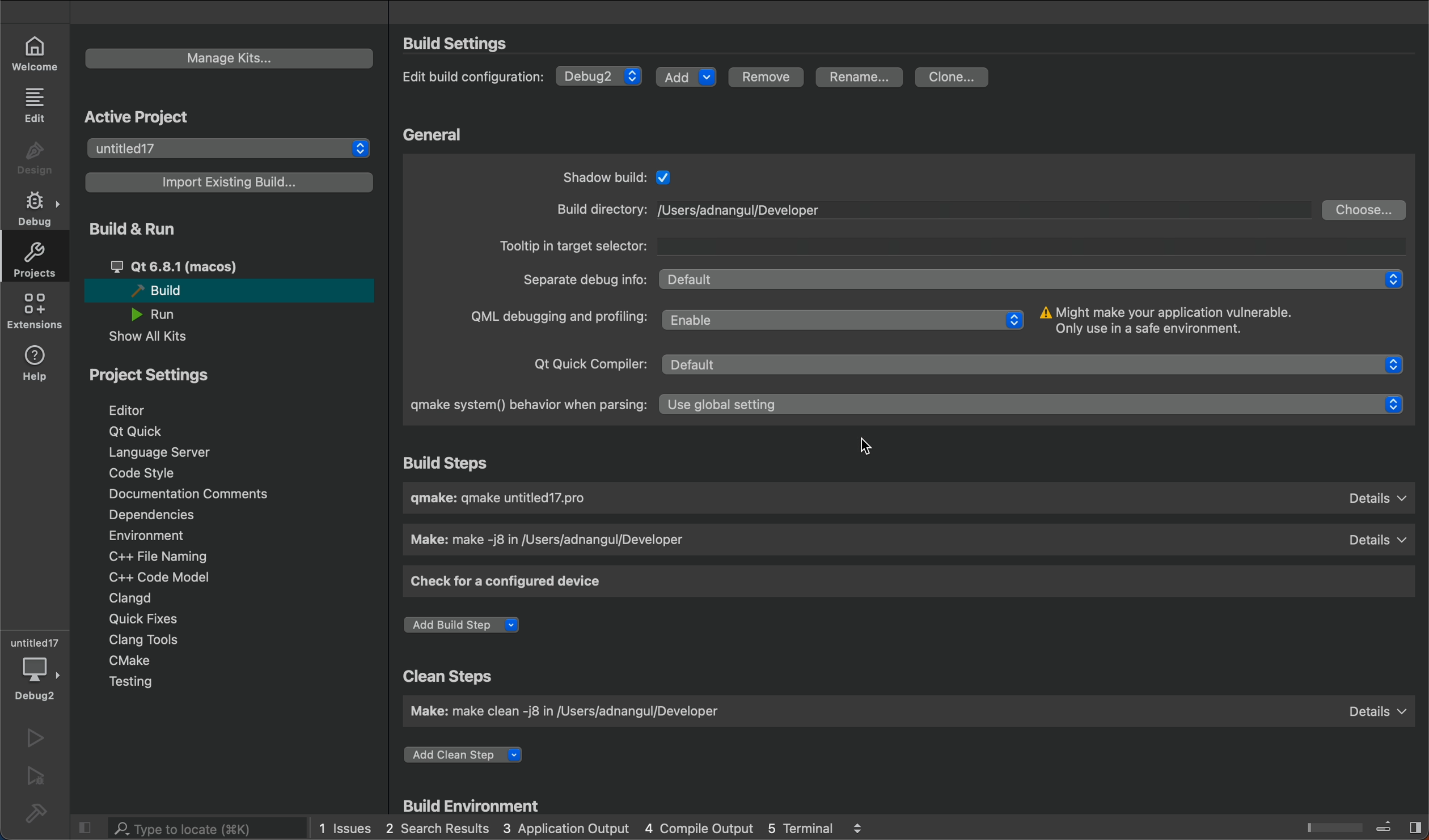 The width and height of the screenshot is (1429, 840). What do you see at coordinates (35, 362) in the screenshot?
I see `help` at bounding box center [35, 362].